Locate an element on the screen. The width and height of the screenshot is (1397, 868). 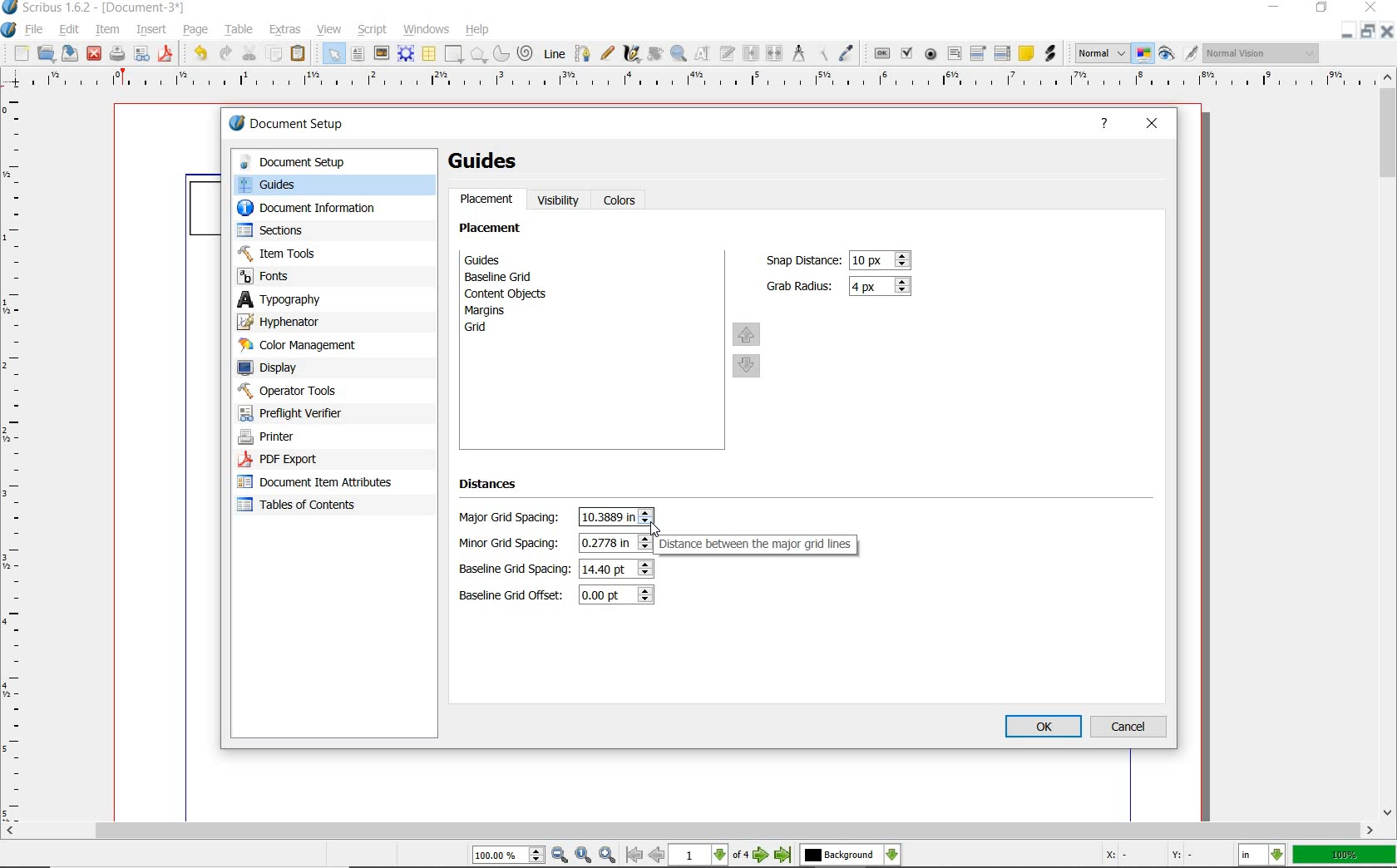
Minor Grid Spacing: is located at coordinates (514, 544).